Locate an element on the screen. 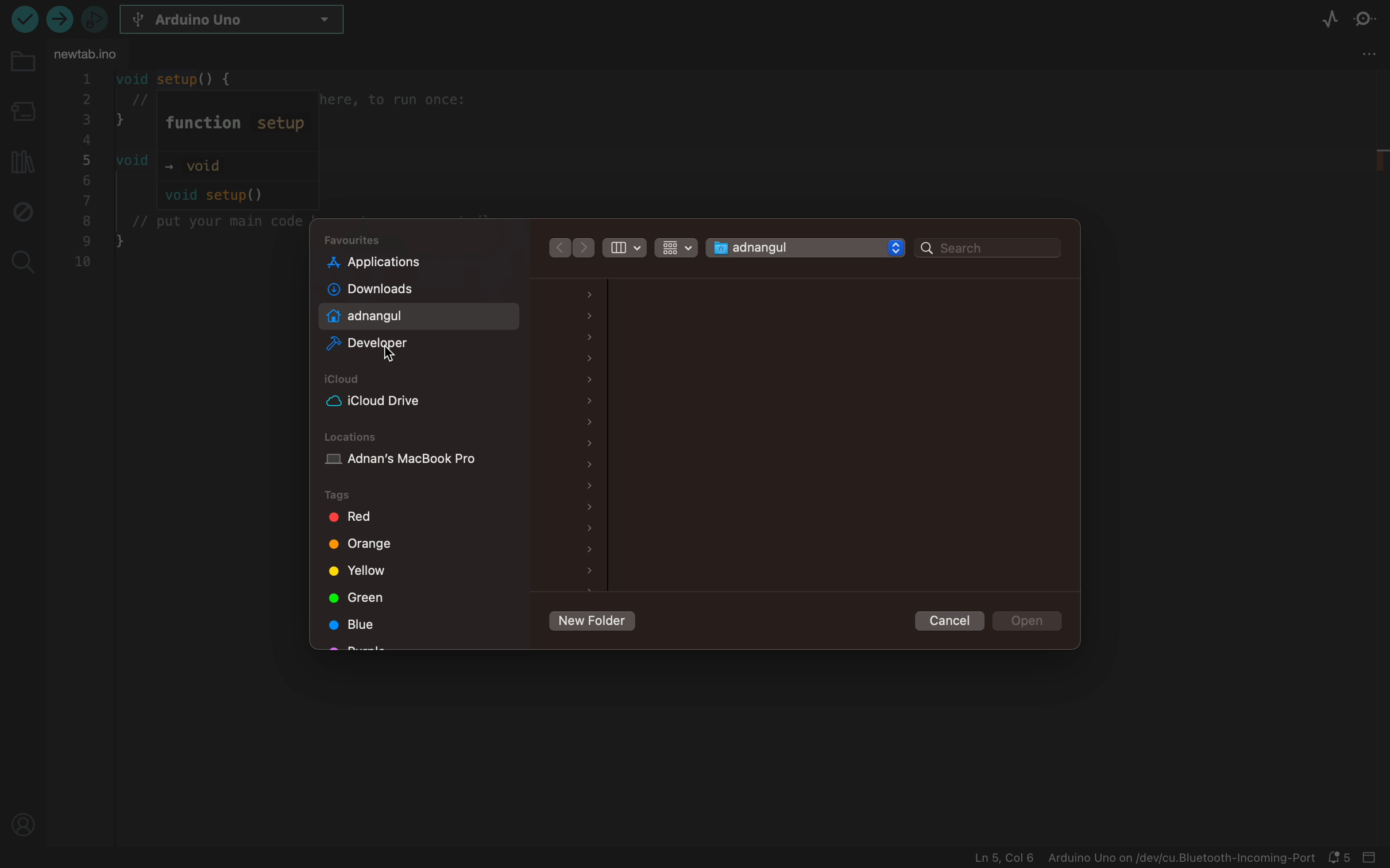 This screenshot has width=1390, height=868. new folder is located at coordinates (591, 622).